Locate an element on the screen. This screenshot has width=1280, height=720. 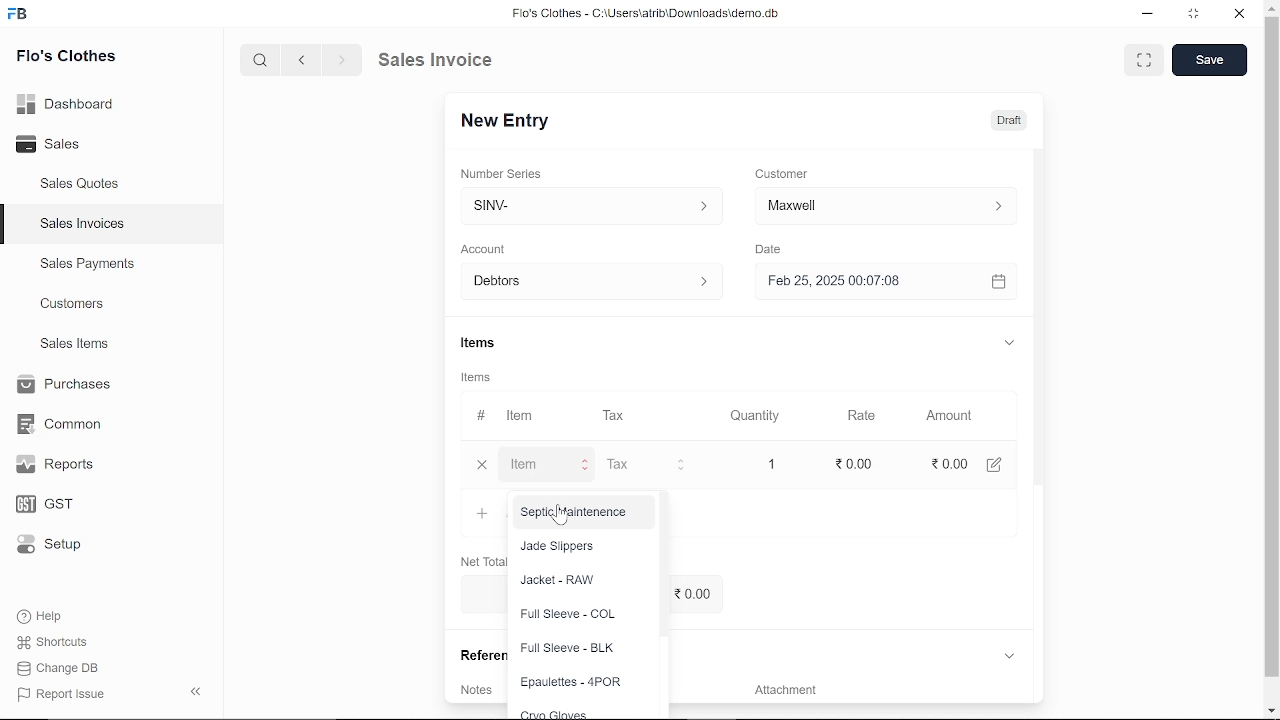
Draft is located at coordinates (1021, 118).